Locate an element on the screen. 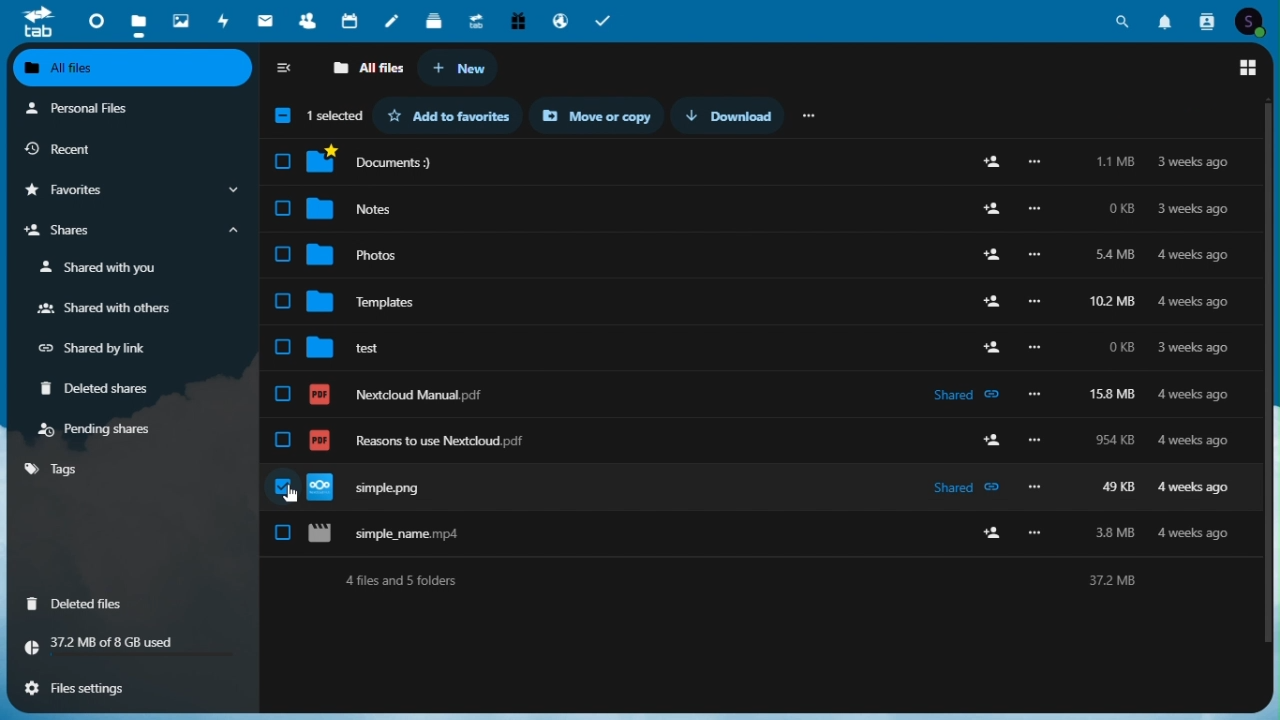 This screenshot has width=1280, height=720. favourites is located at coordinates (129, 191).